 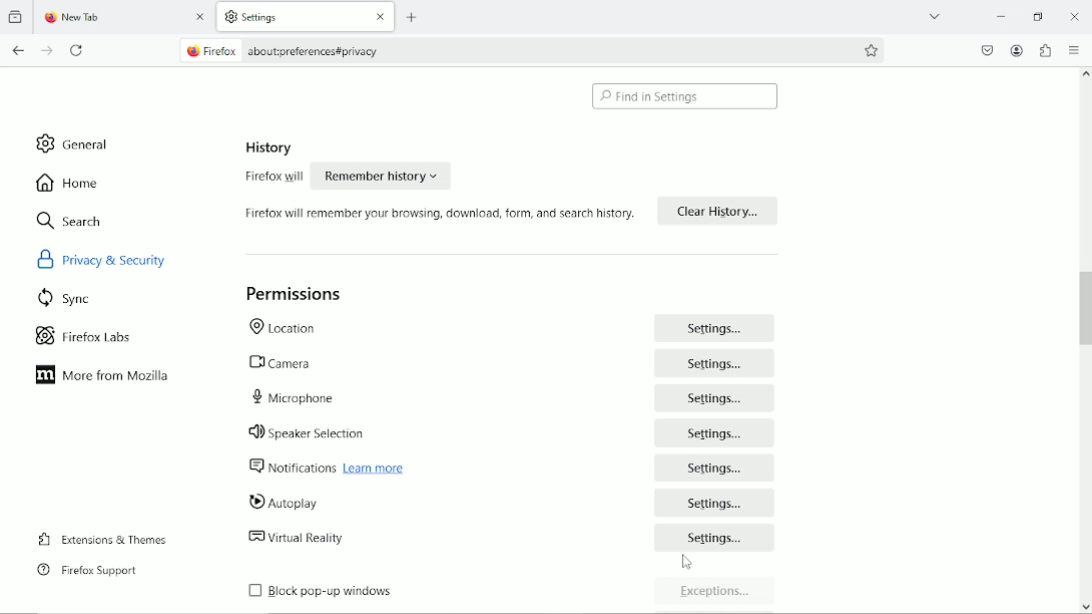 I want to click on settings, so click(x=275, y=18).